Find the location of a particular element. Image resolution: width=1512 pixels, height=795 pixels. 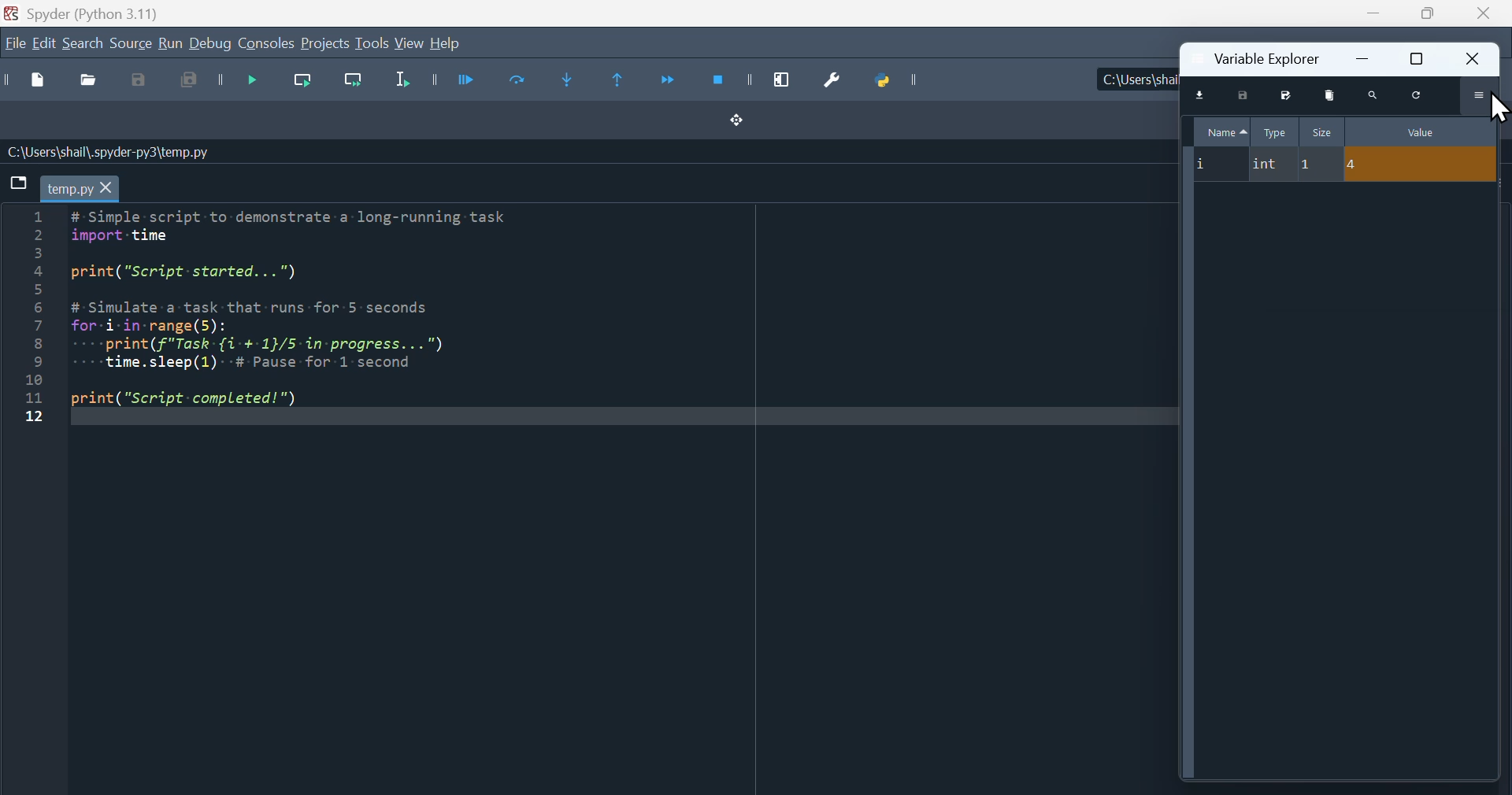

Variable Explorer is located at coordinates (1264, 57).